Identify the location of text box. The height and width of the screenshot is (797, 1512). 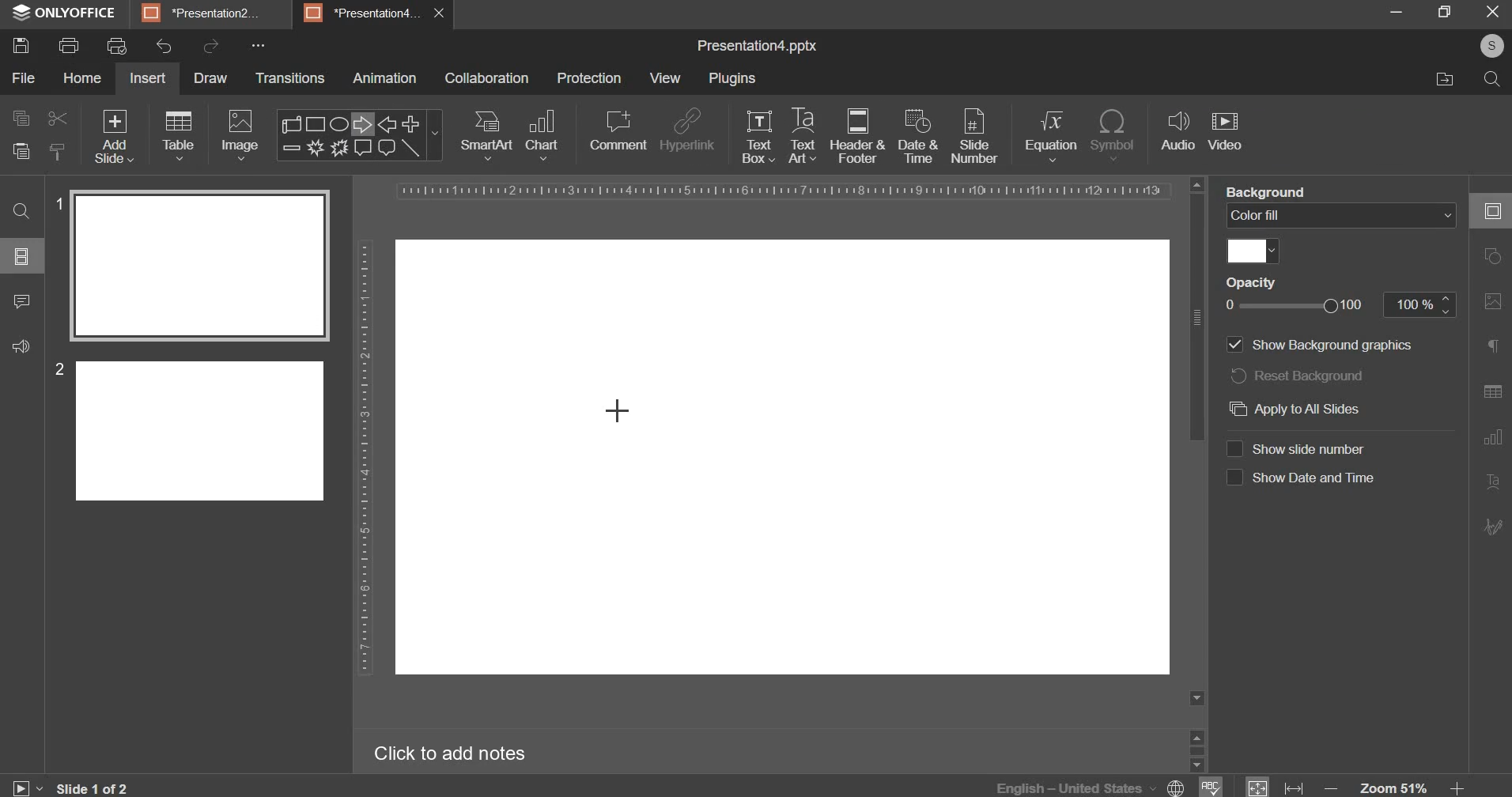
(760, 138).